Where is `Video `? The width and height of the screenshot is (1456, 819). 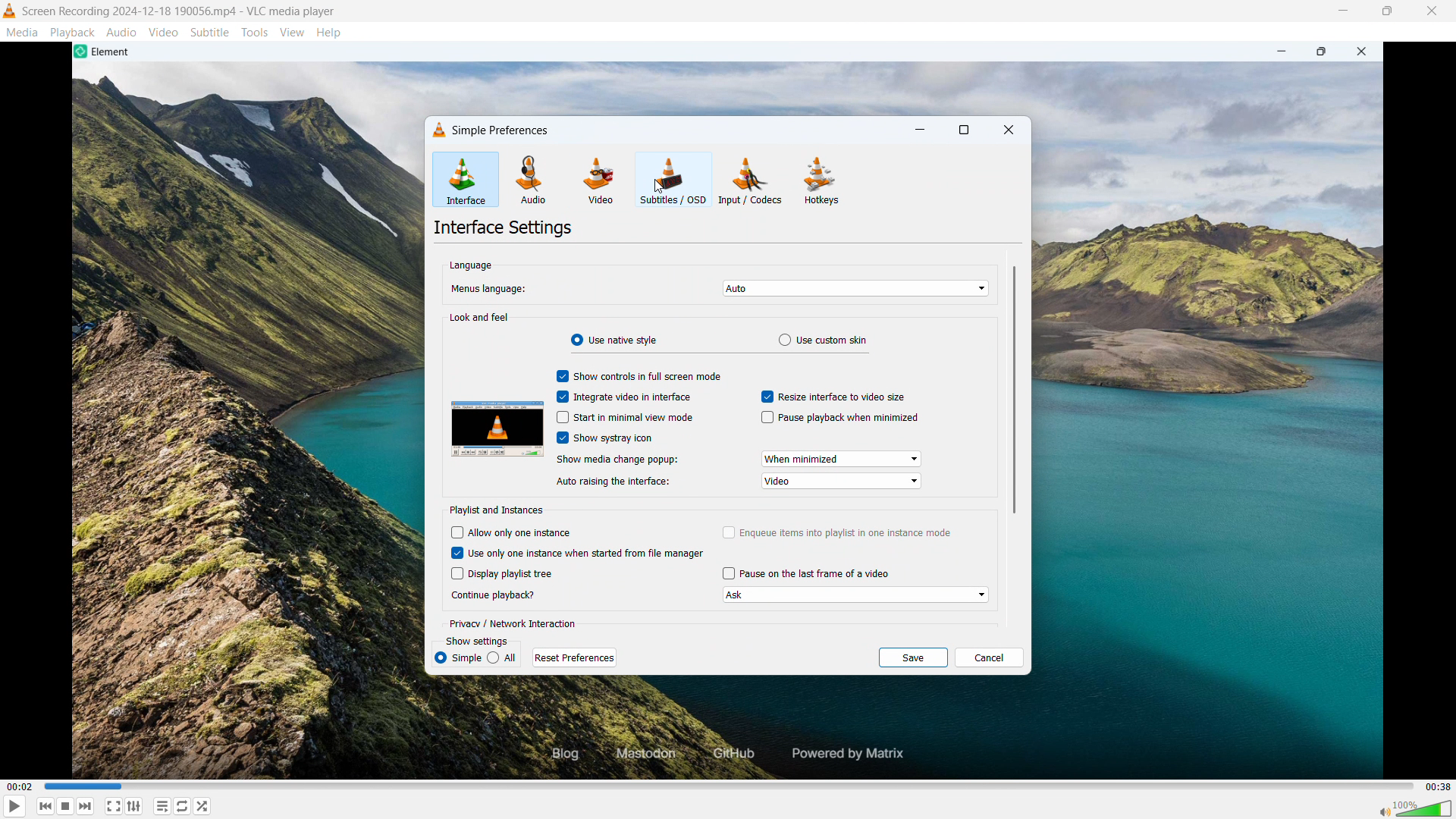
Video  is located at coordinates (163, 33).